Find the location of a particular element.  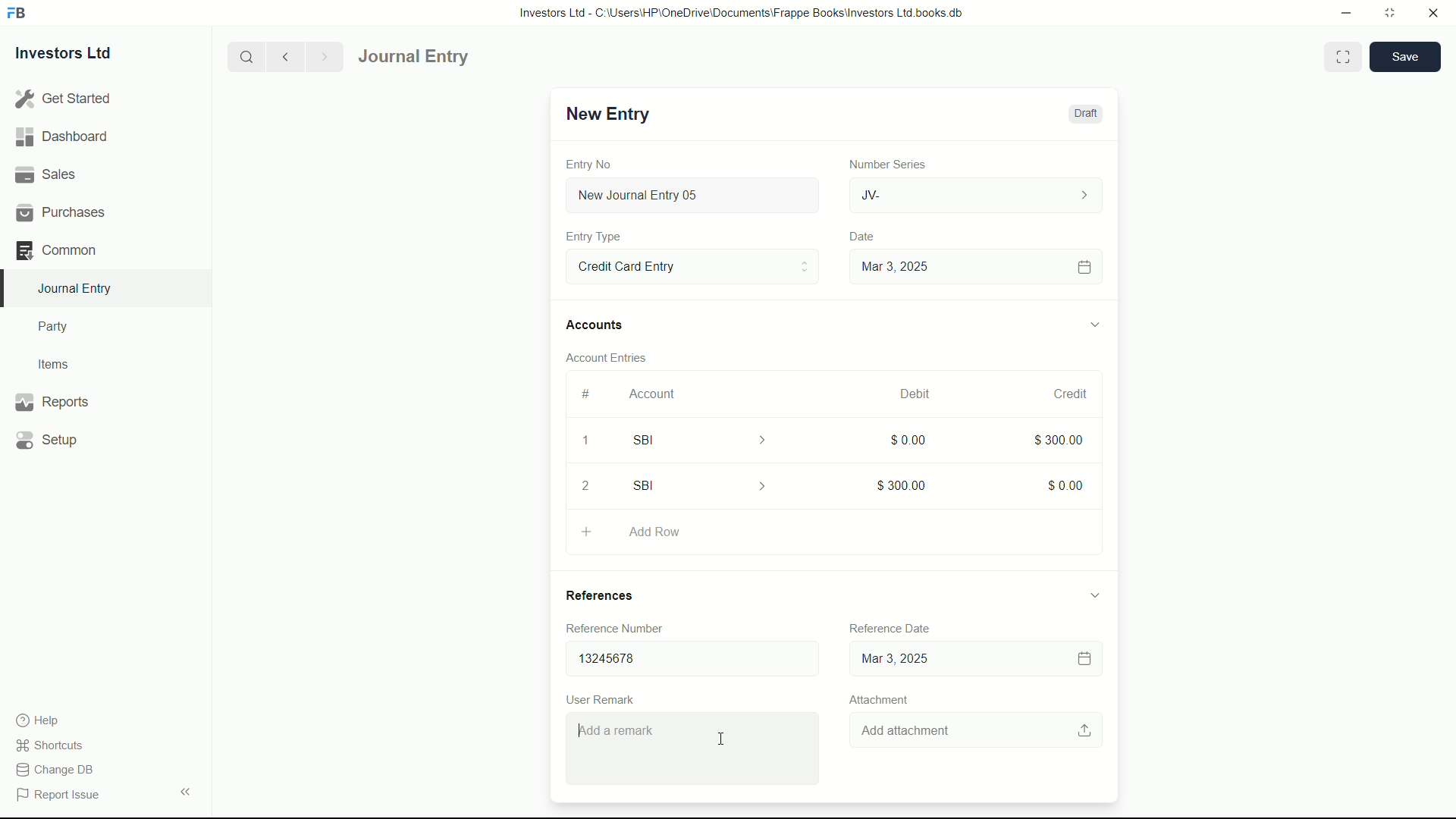

1 is located at coordinates (585, 443).